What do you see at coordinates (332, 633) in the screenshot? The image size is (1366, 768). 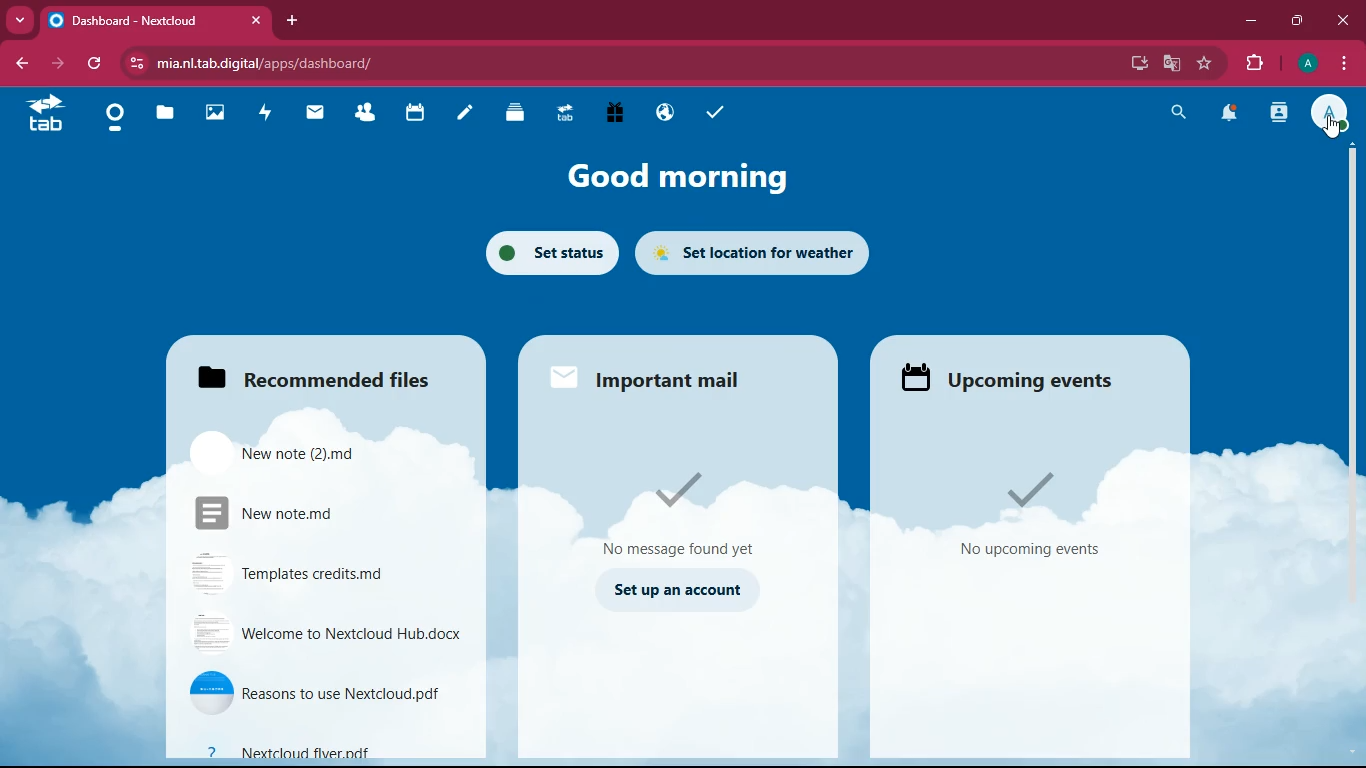 I see `file` at bounding box center [332, 633].